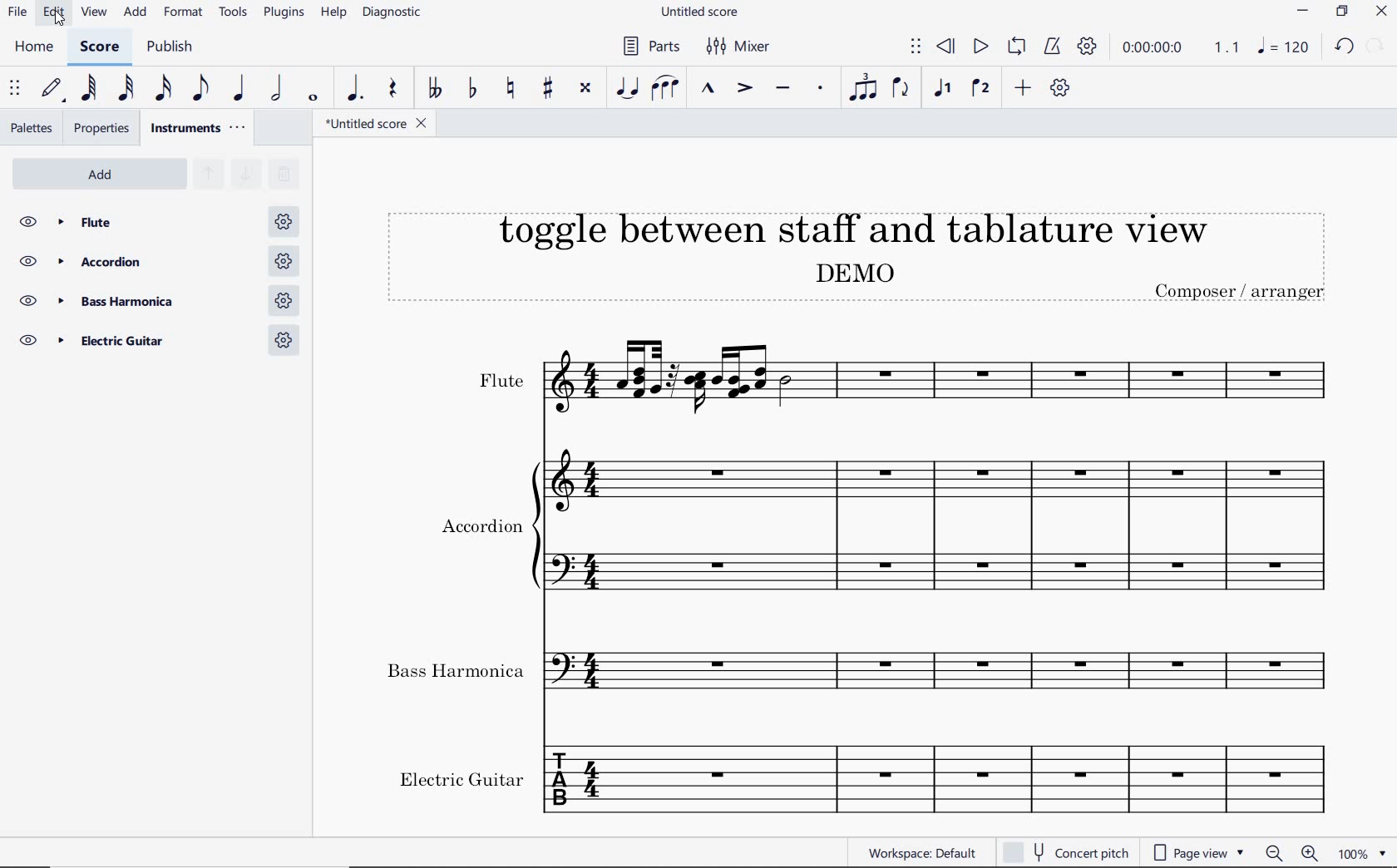 This screenshot has height=868, width=1397. I want to click on score, so click(102, 47).